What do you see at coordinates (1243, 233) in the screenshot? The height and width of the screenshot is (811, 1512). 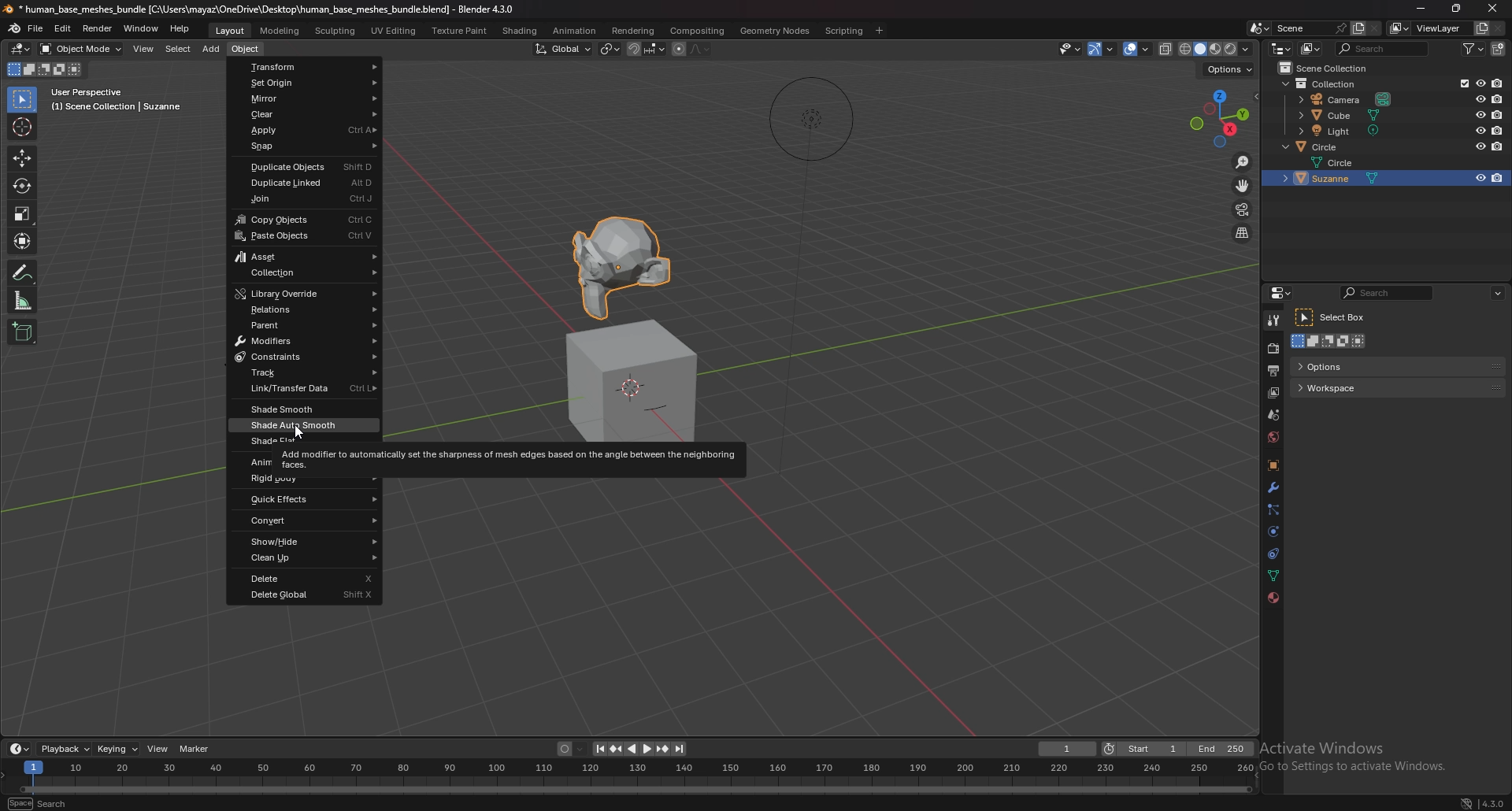 I see `perspective/prthographic` at bounding box center [1243, 233].